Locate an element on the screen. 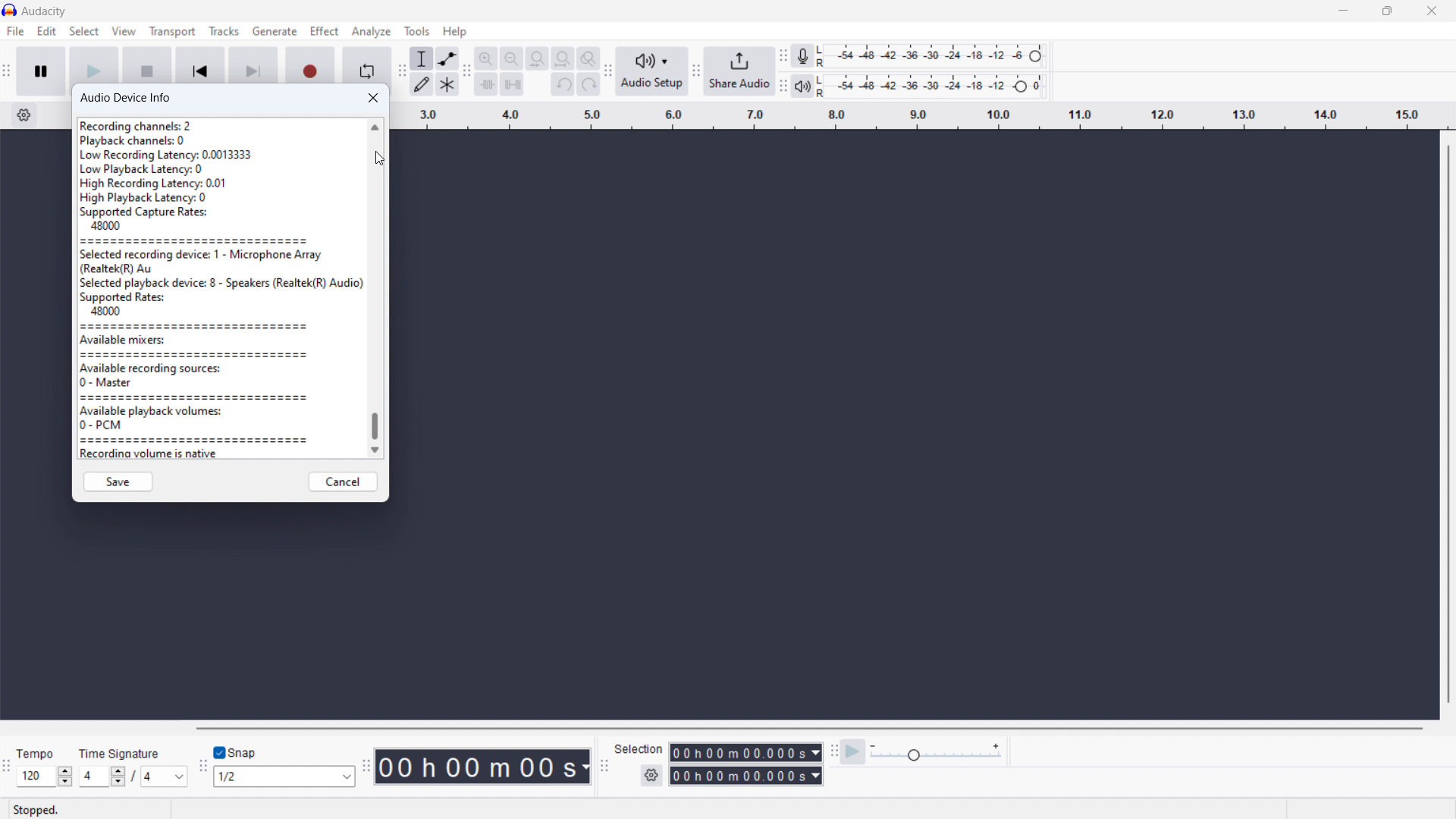  analyze is located at coordinates (371, 31).